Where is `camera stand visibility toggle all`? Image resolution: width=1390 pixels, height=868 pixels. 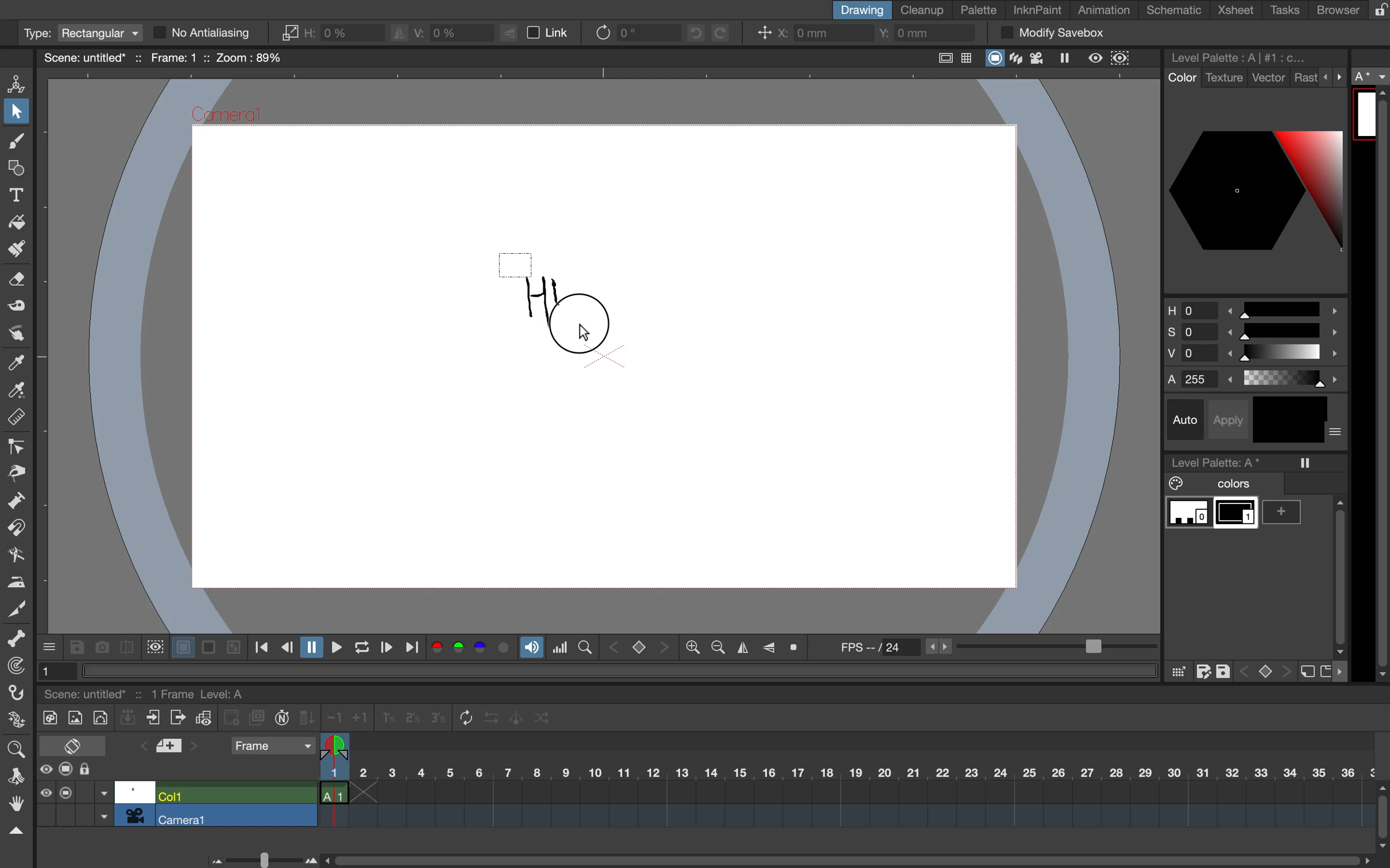 camera stand visibility toggle all is located at coordinates (65, 792).